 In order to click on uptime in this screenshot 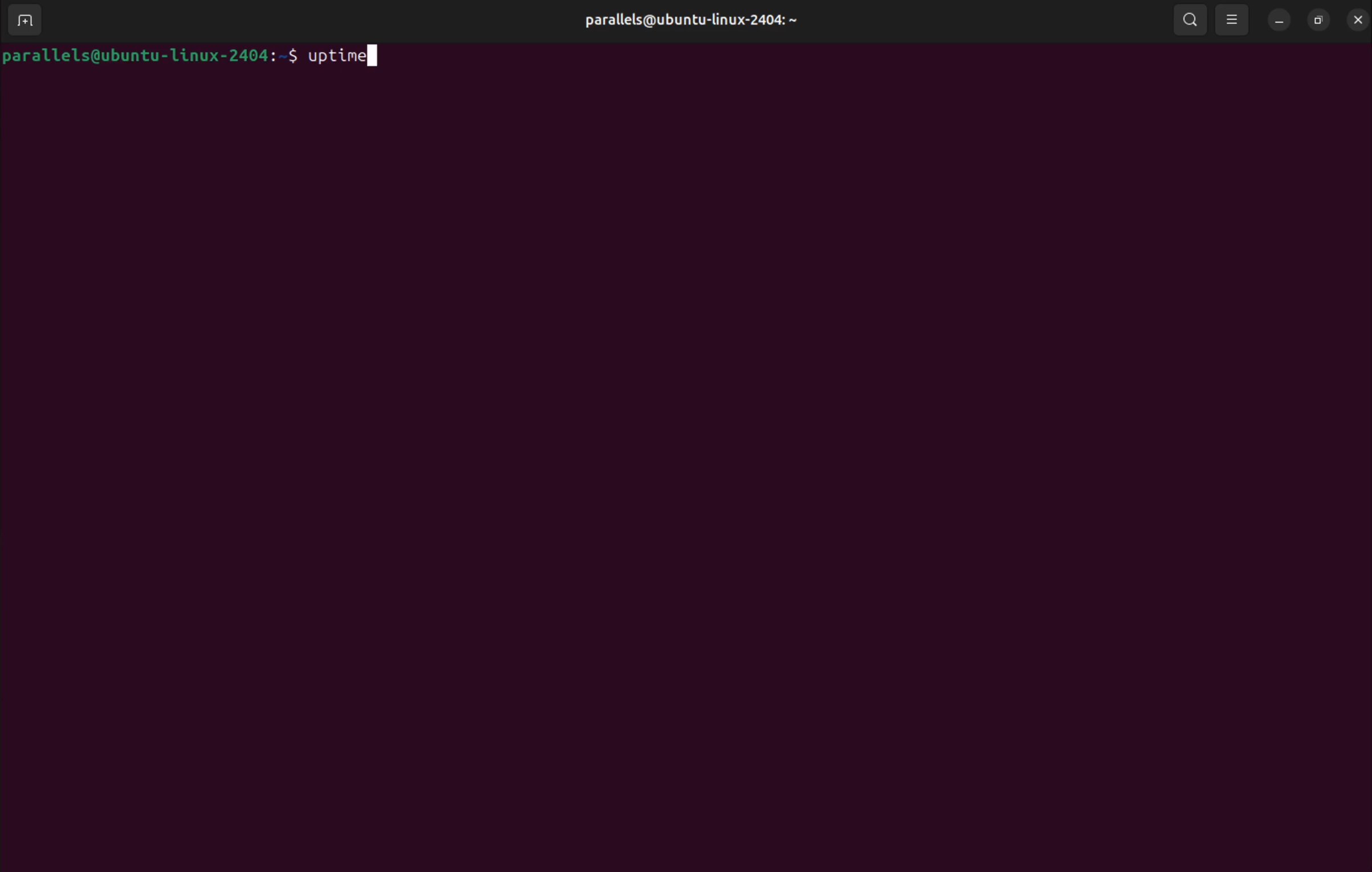, I will do `click(348, 58)`.